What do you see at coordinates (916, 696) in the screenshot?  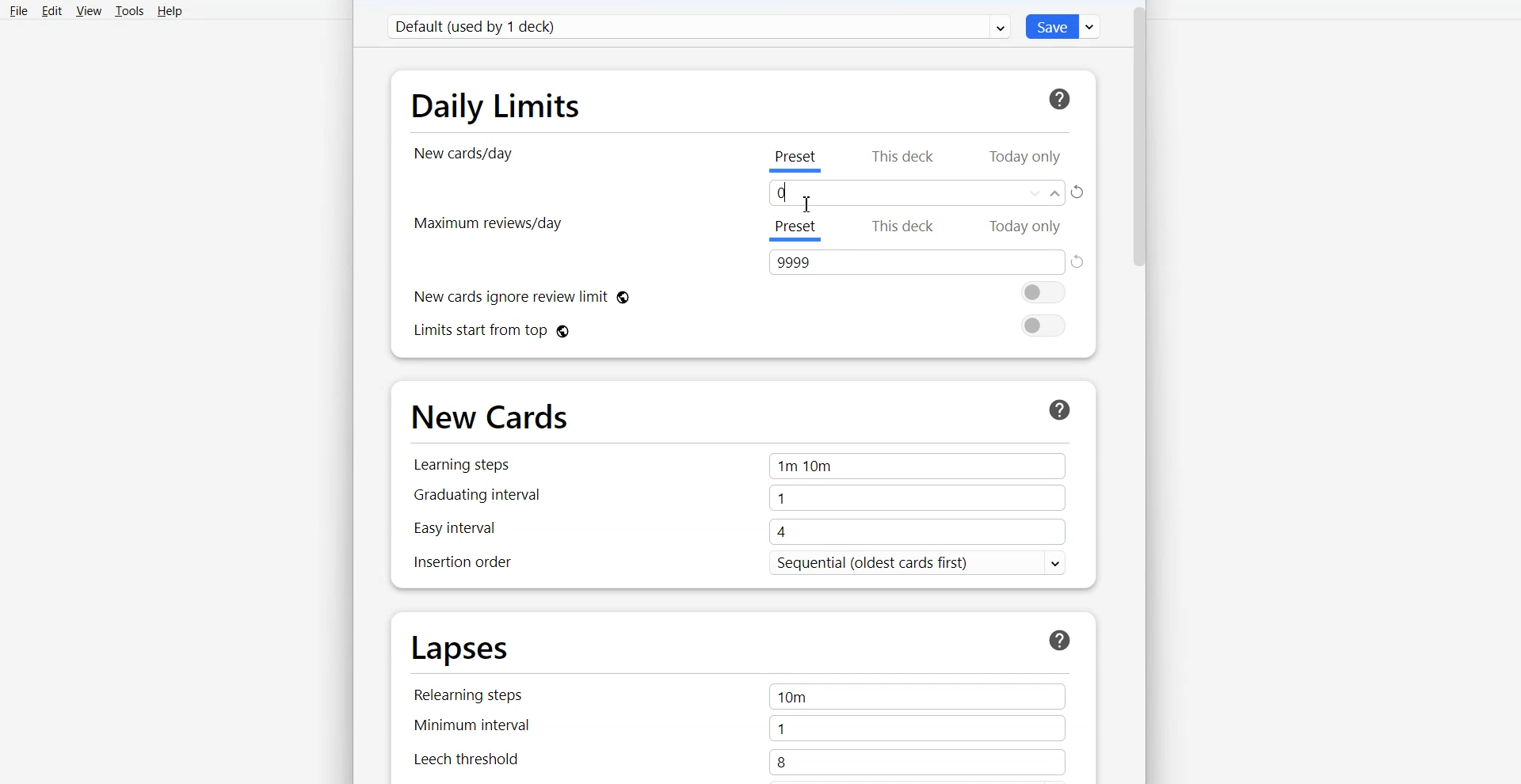 I see `10m` at bounding box center [916, 696].